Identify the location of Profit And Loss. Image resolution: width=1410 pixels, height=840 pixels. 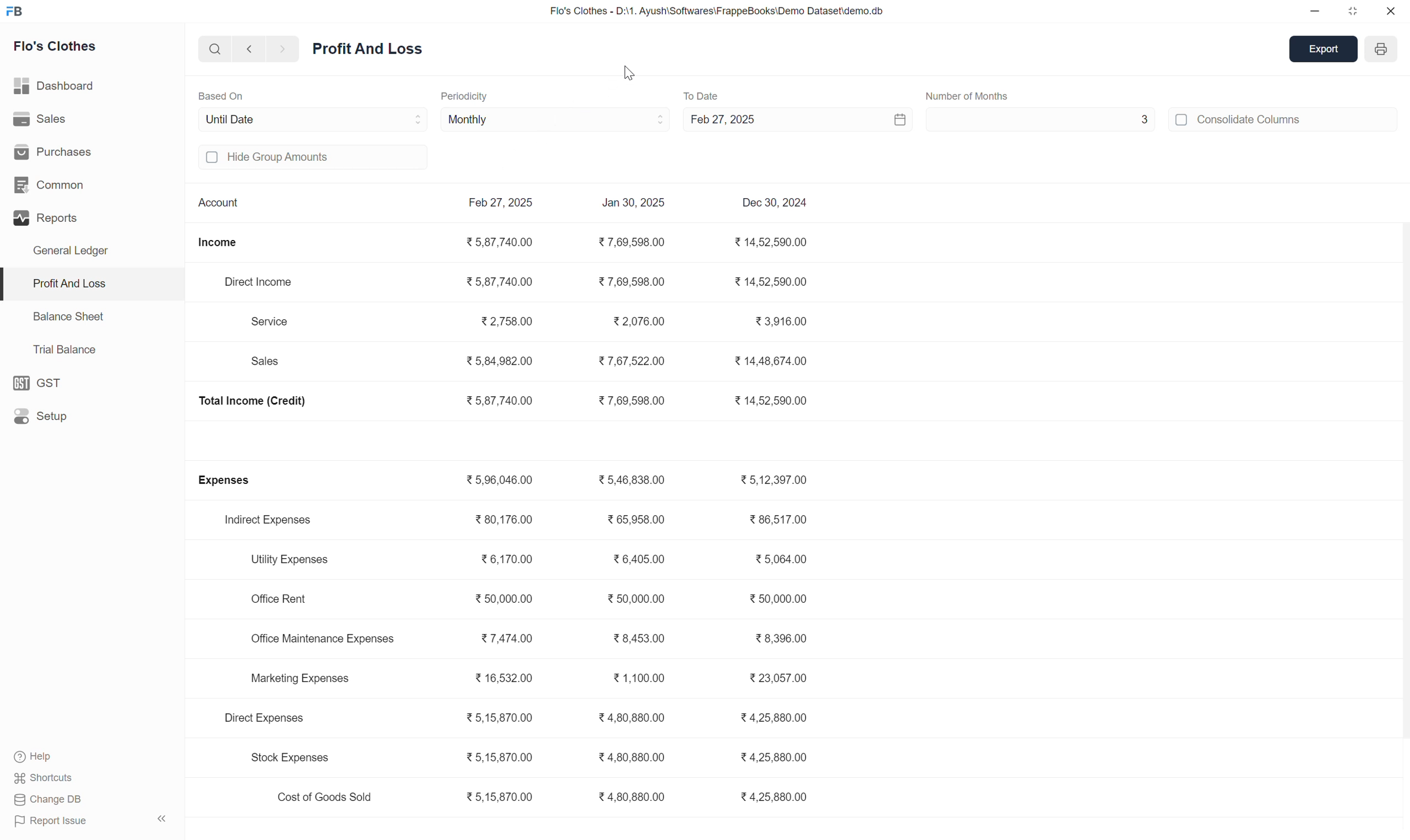
(66, 282).